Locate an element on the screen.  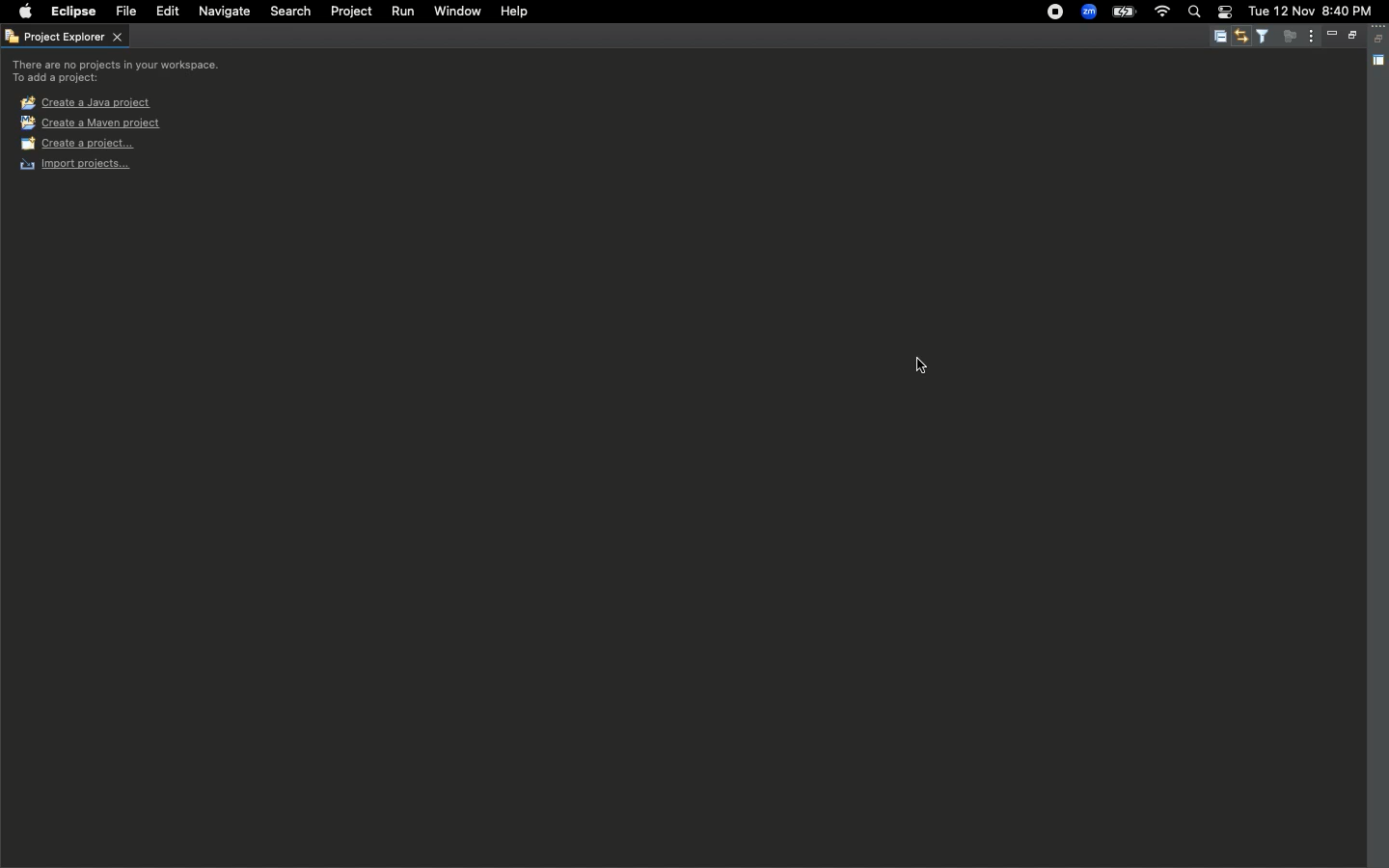
Internet is located at coordinates (1162, 12).